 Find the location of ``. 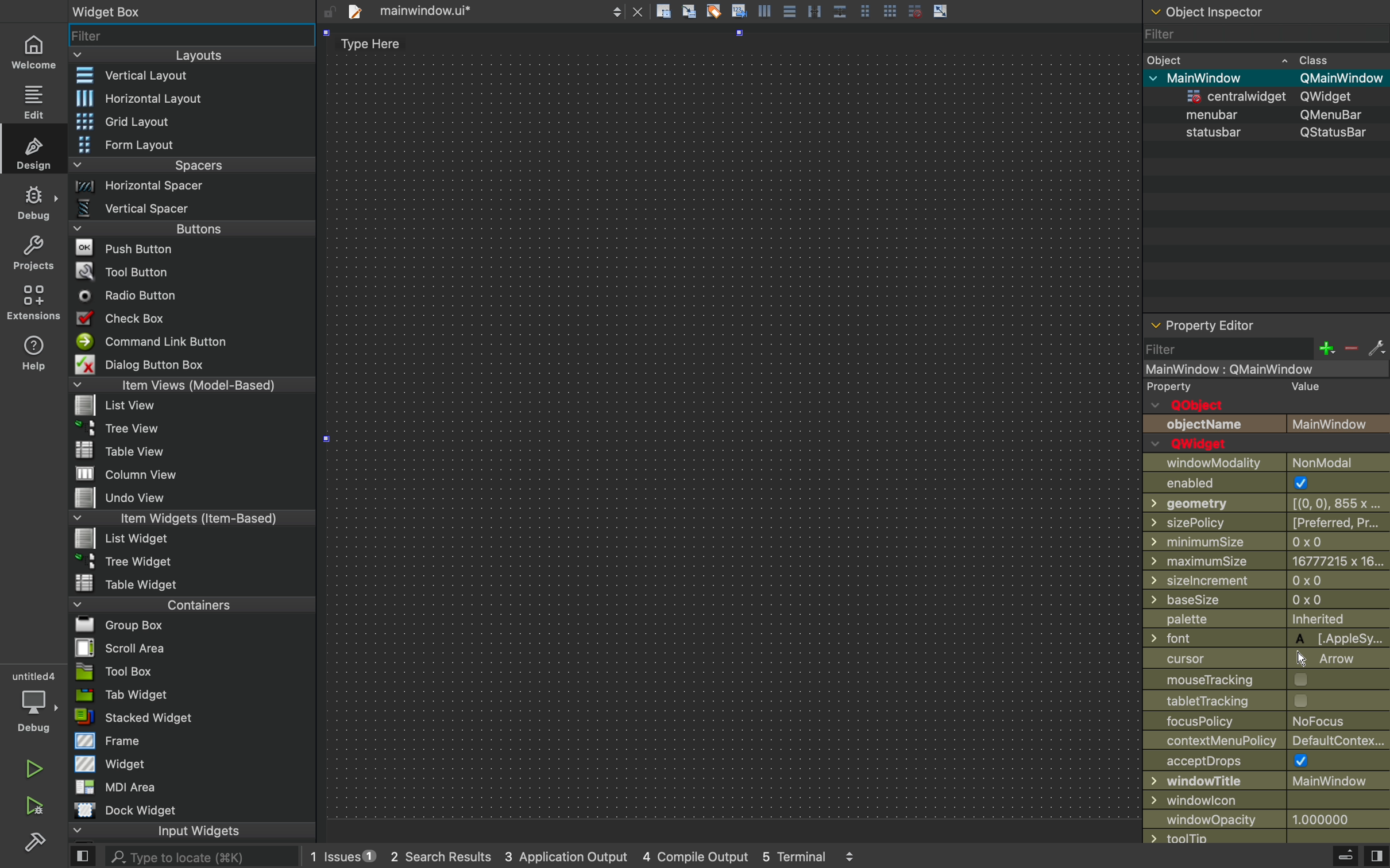

 is located at coordinates (1267, 640).